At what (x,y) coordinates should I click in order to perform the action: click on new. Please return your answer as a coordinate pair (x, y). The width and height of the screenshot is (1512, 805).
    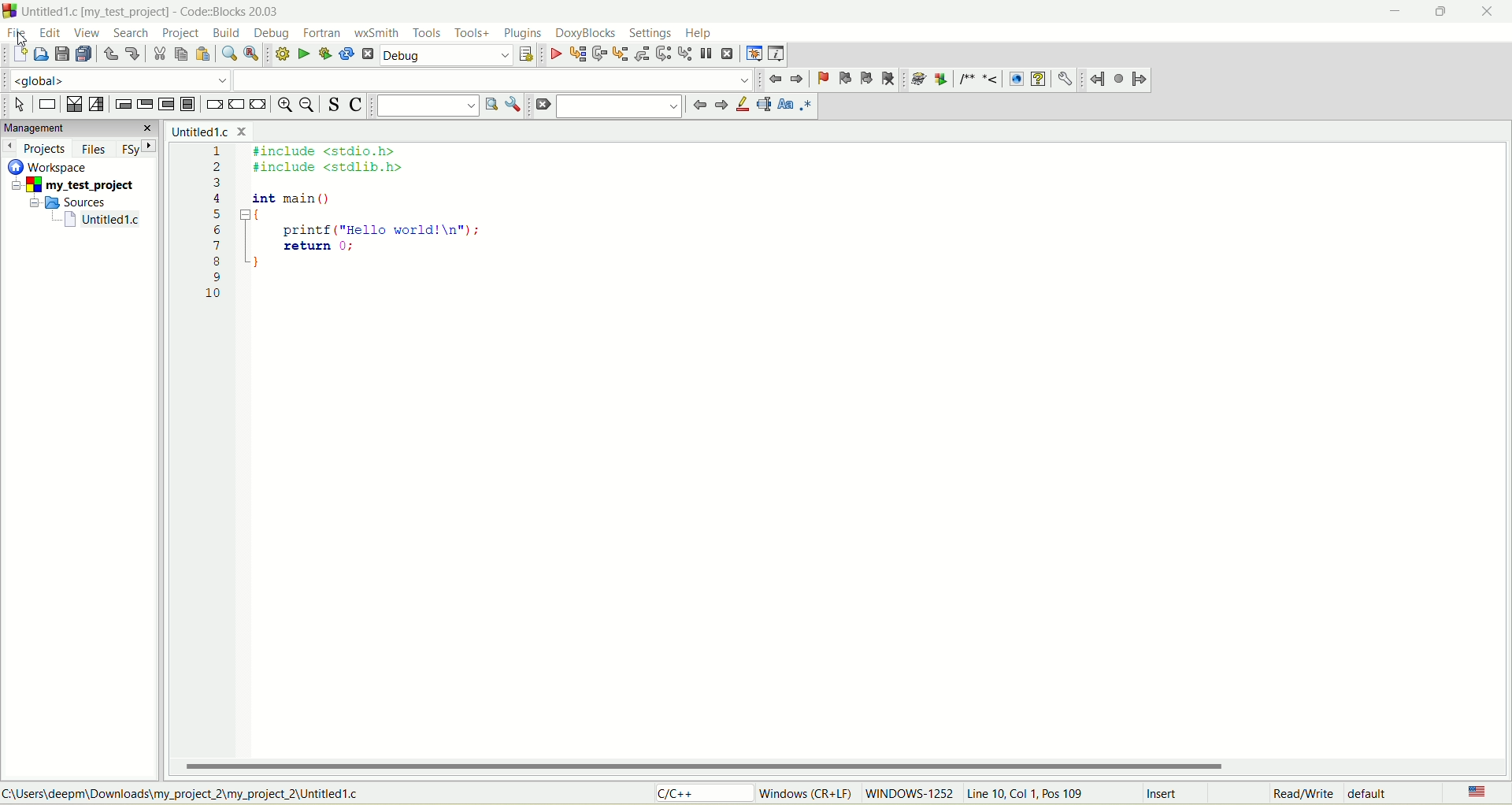
    Looking at the image, I should click on (18, 55).